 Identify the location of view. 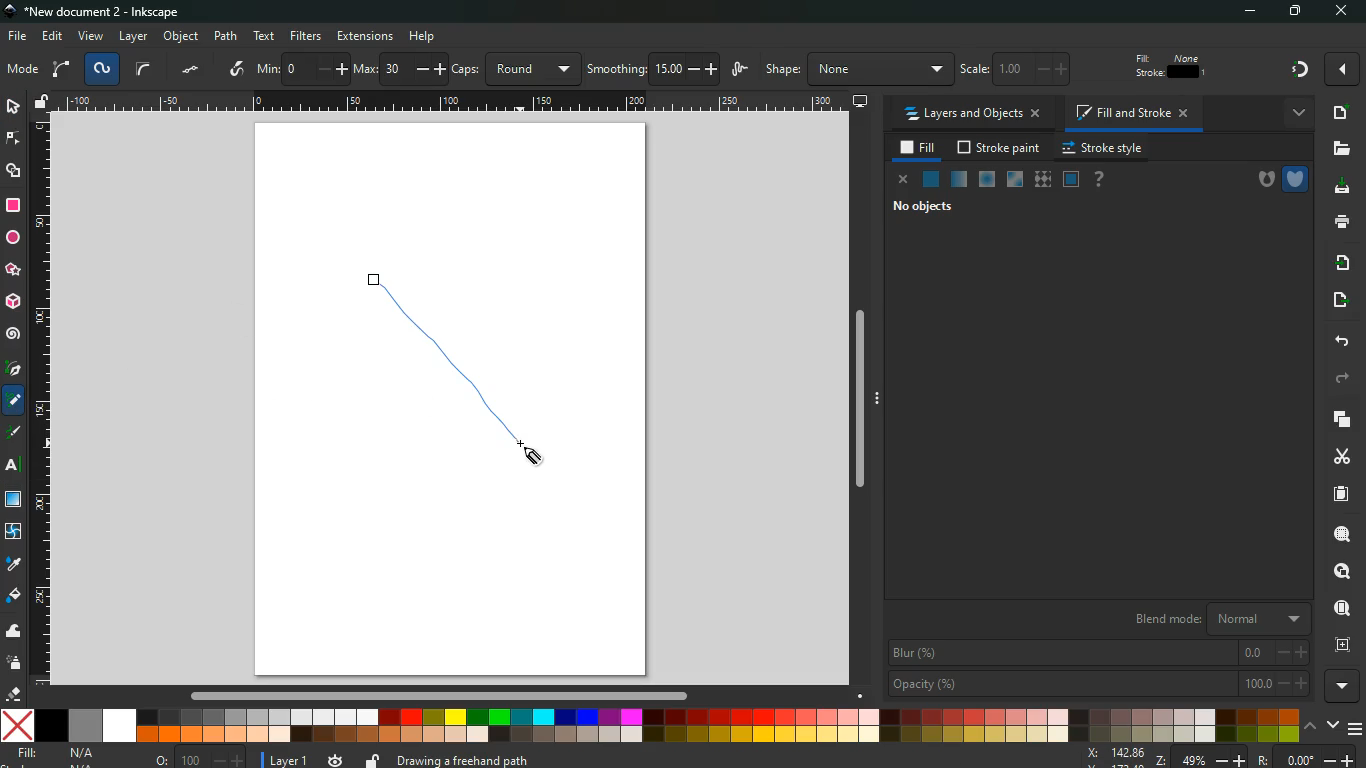
(91, 37).